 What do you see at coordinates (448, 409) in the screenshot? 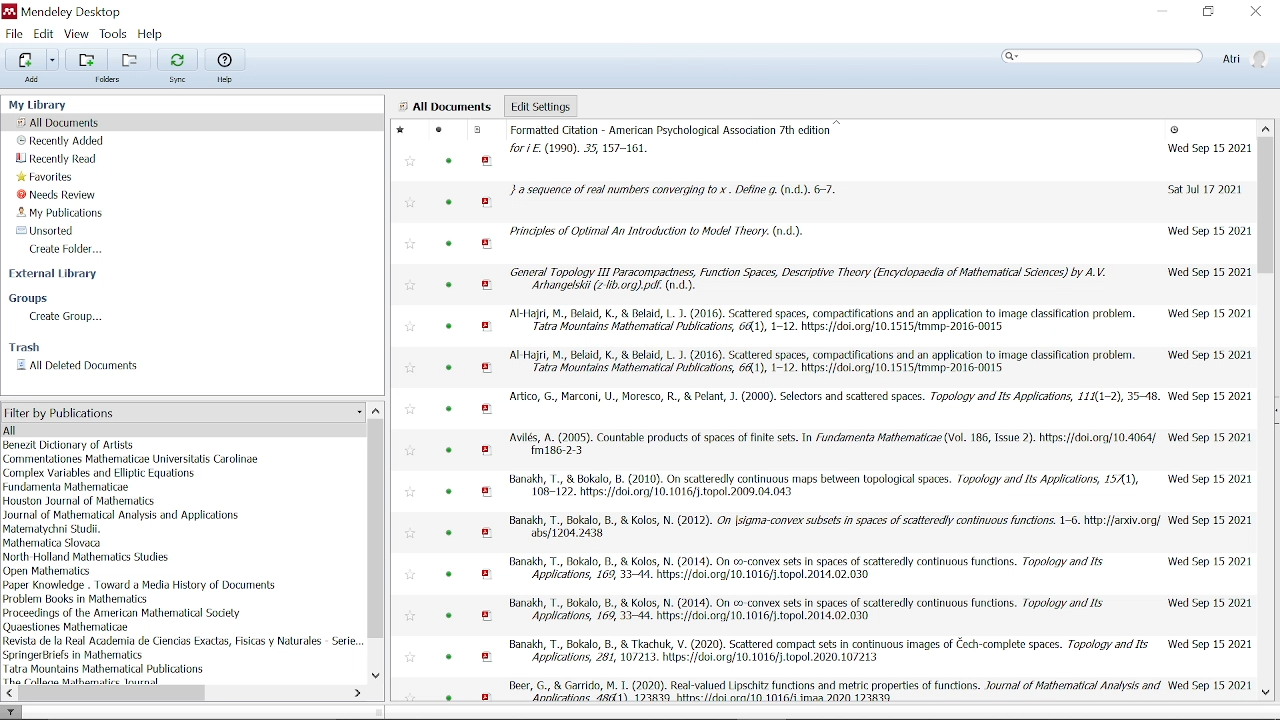
I see `status` at bounding box center [448, 409].